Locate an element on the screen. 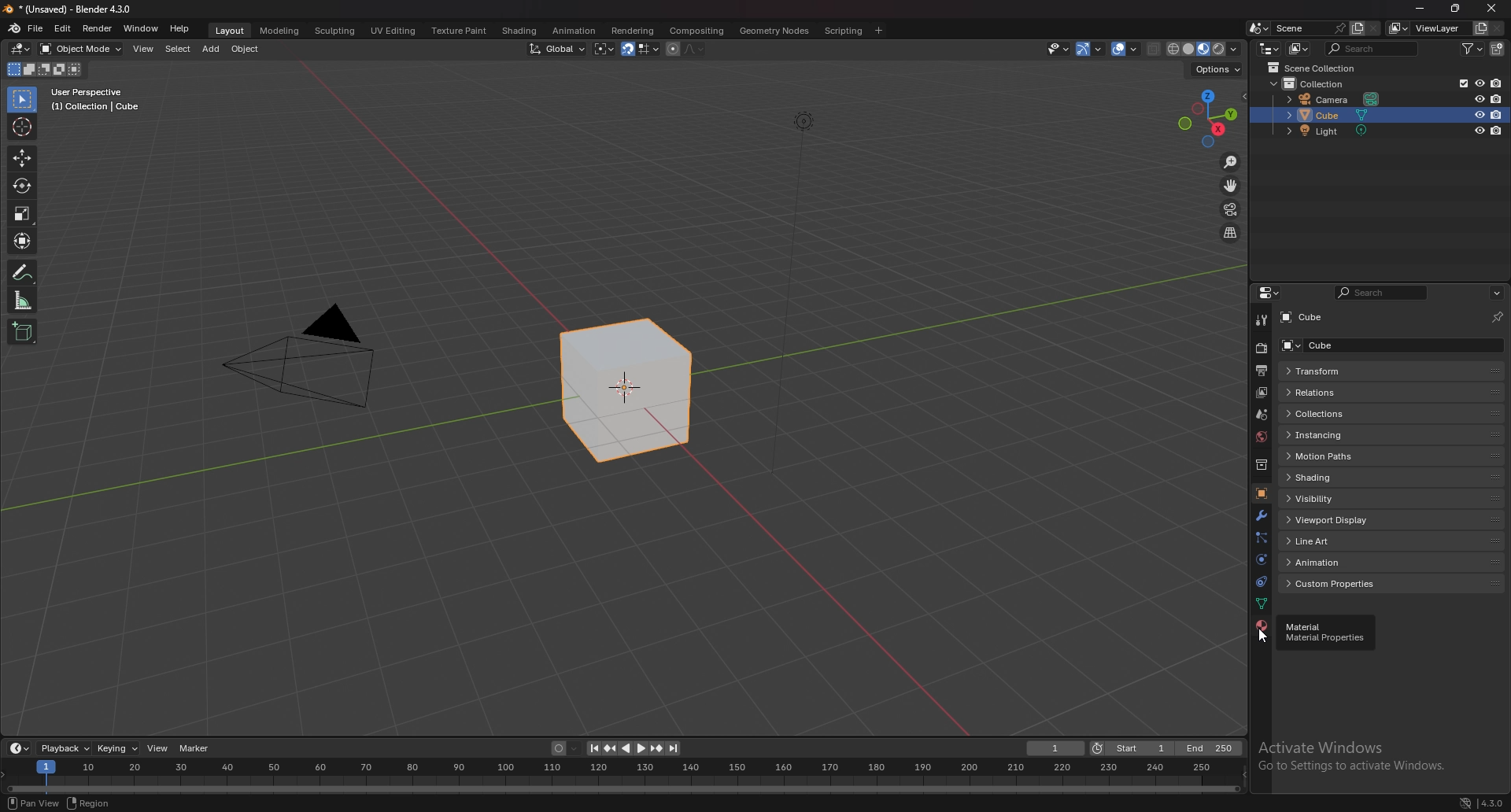 The image size is (1511, 812). jump to endpoint is located at coordinates (674, 748).